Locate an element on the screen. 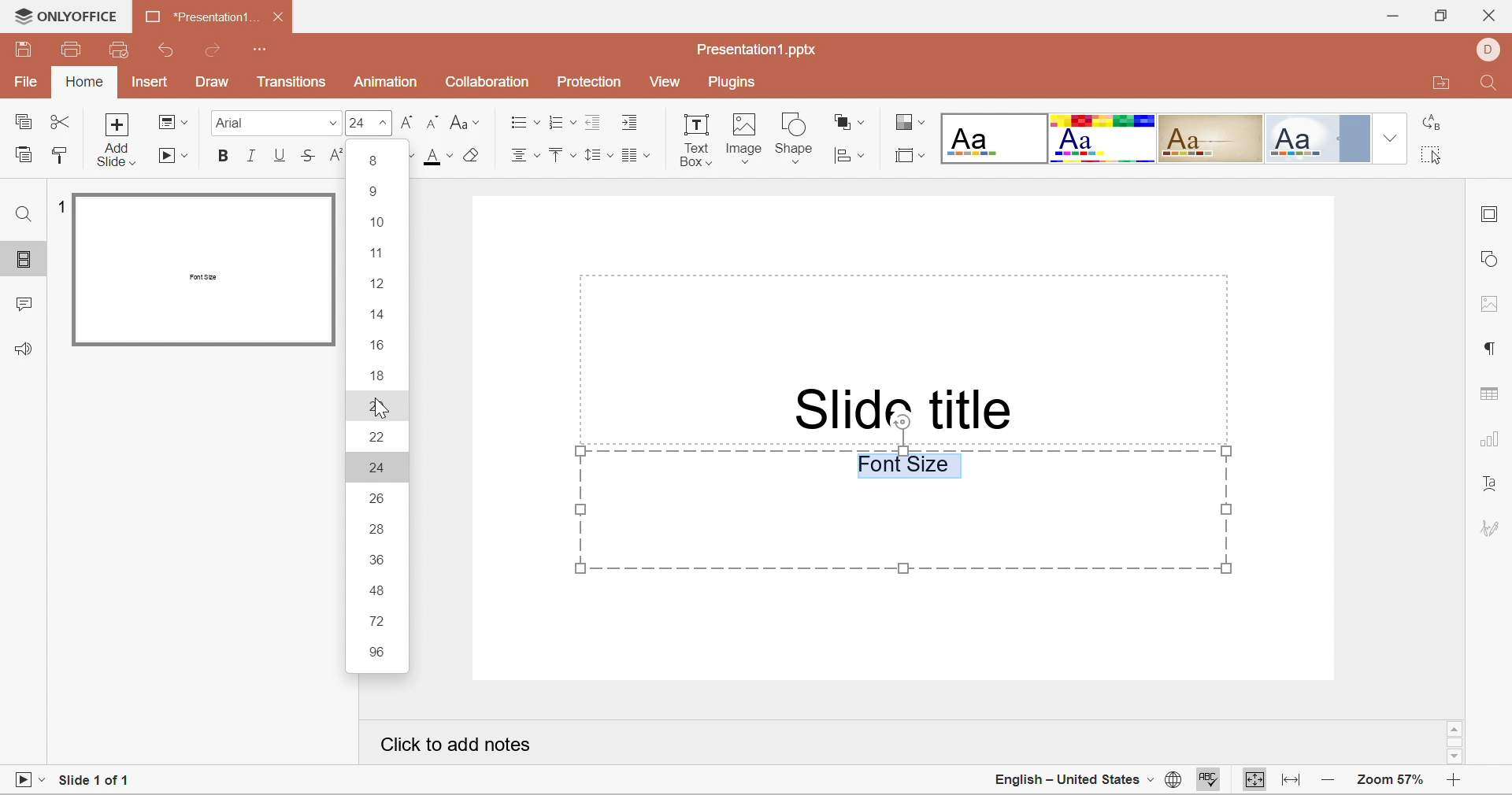 The height and width of the screenshot is (795, 1512). Change color theme is located at coordinates (908, 121).